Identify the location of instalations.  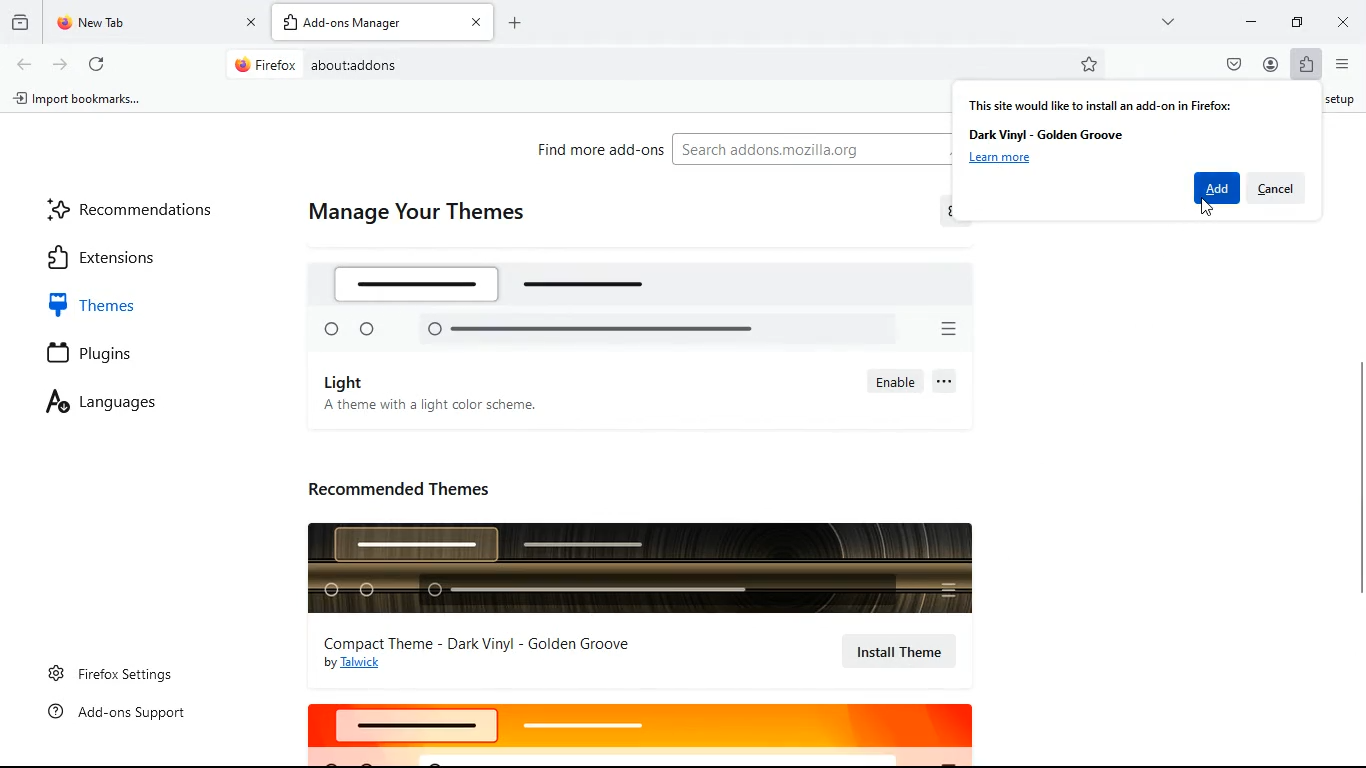
(1306, 66).